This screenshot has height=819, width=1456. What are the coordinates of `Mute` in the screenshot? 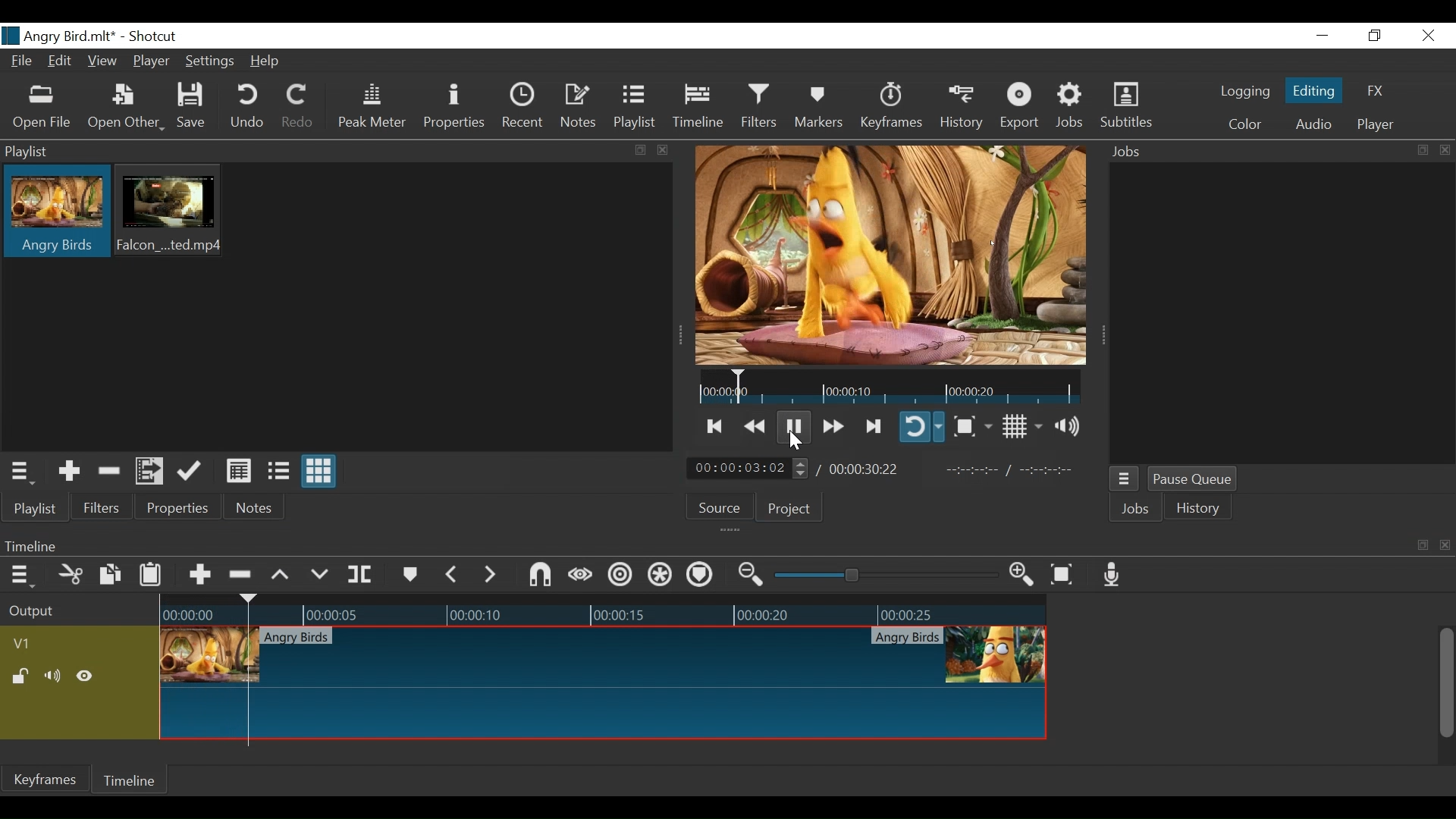 It's located at (54, 678).